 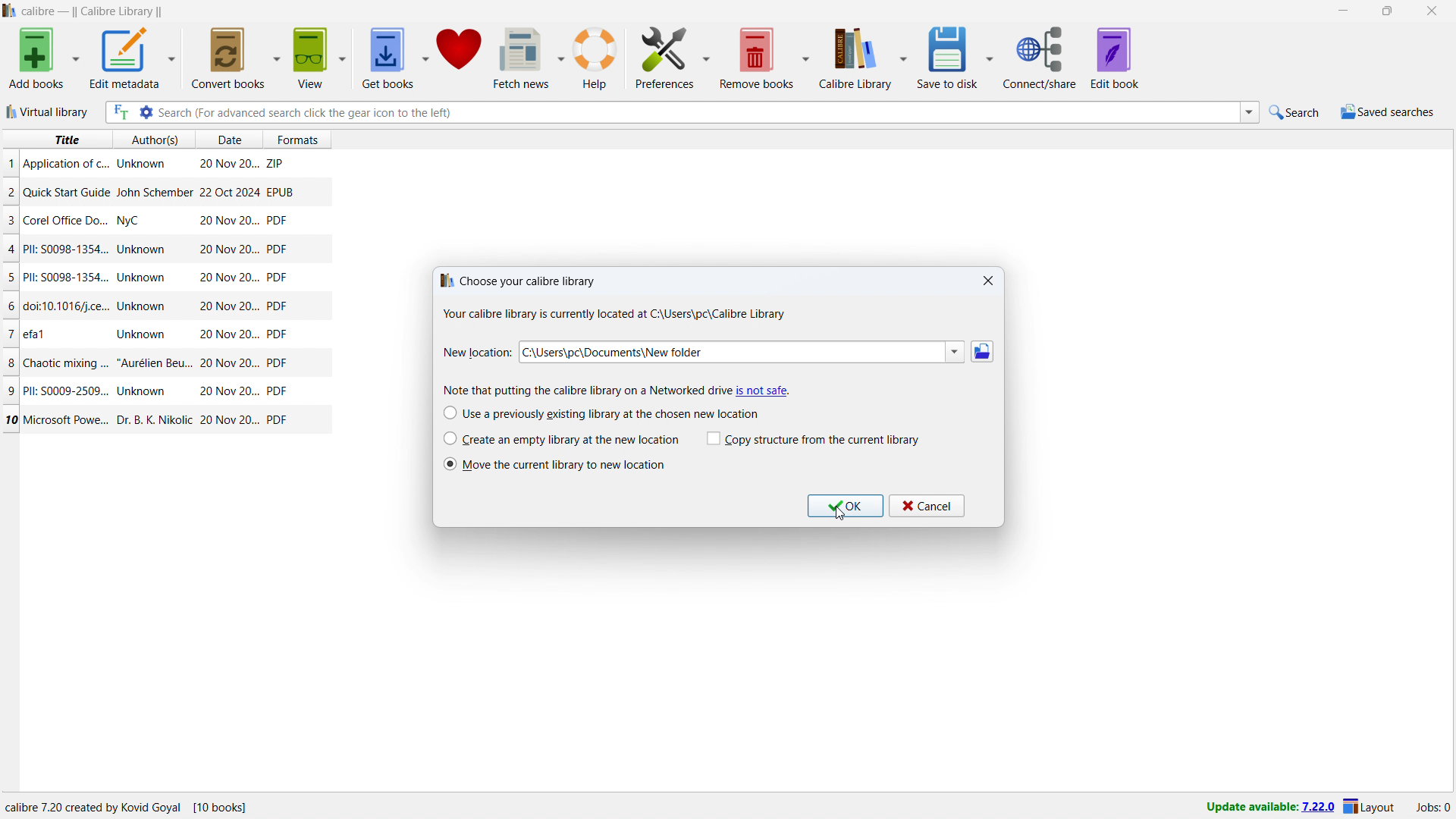 I want to click on 5, so click(x=11, y=278).